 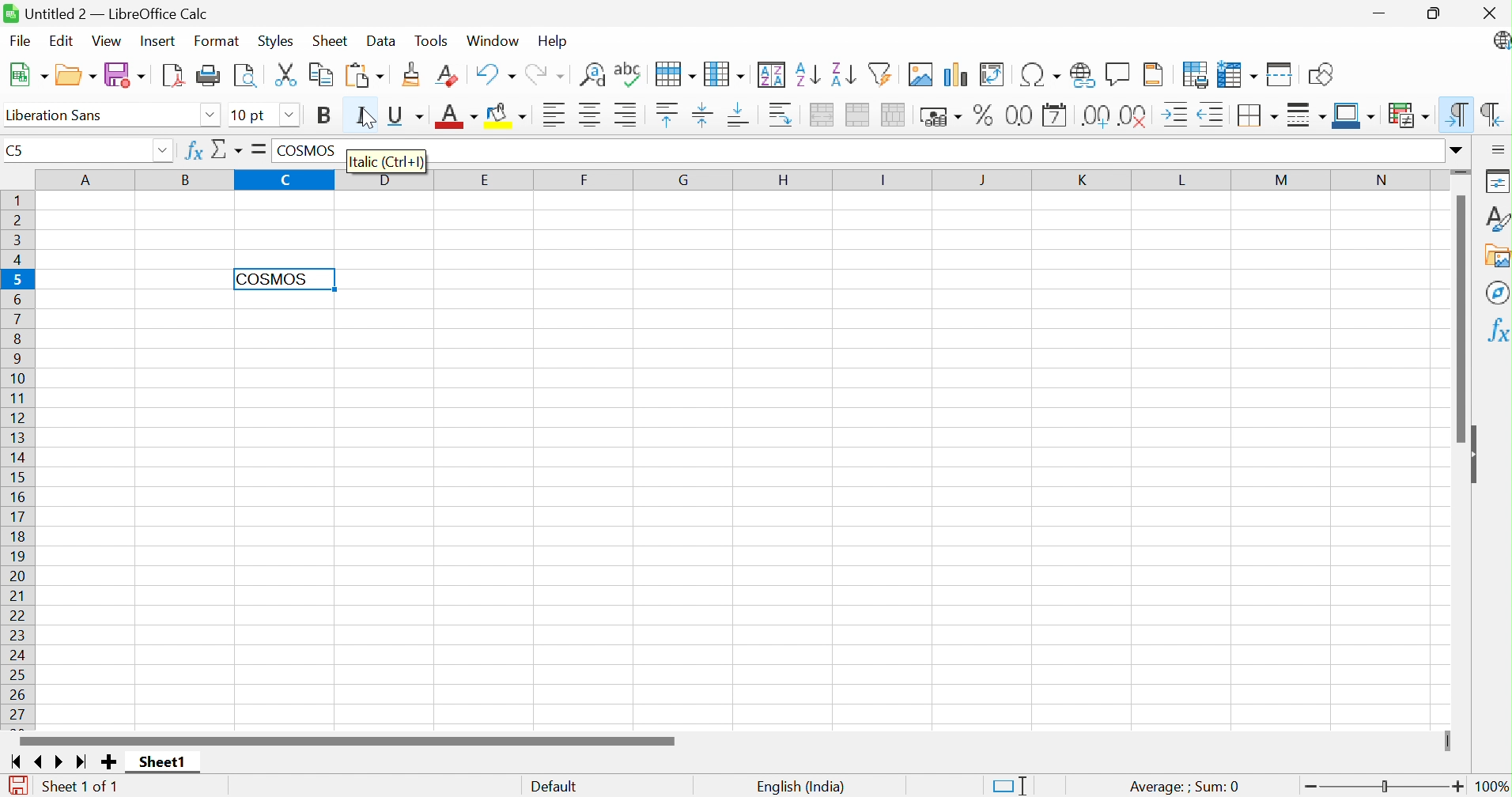 What do you see at coordinates (256, 149) in the screenshot?
I see `Formula` at bounding box center [256, 149].